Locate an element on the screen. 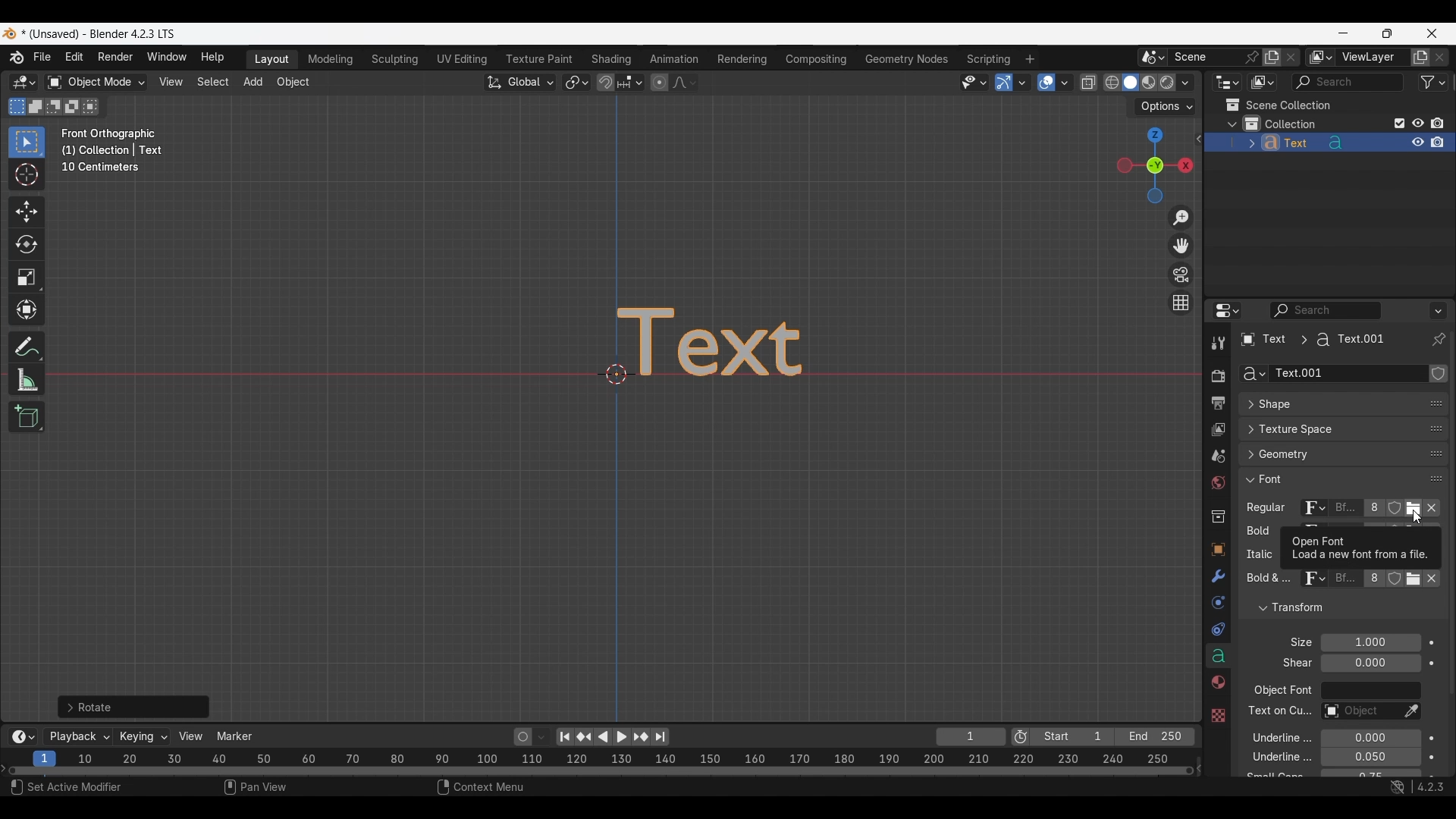 Image resolution: width=1456 pixels, height=819 pixels. 10 20 30 40 50 60 70 80 90 100 110 120 130 140 150 160 170 180 190 200 210 220 230 240 250 is located at coordinates (627, 757).